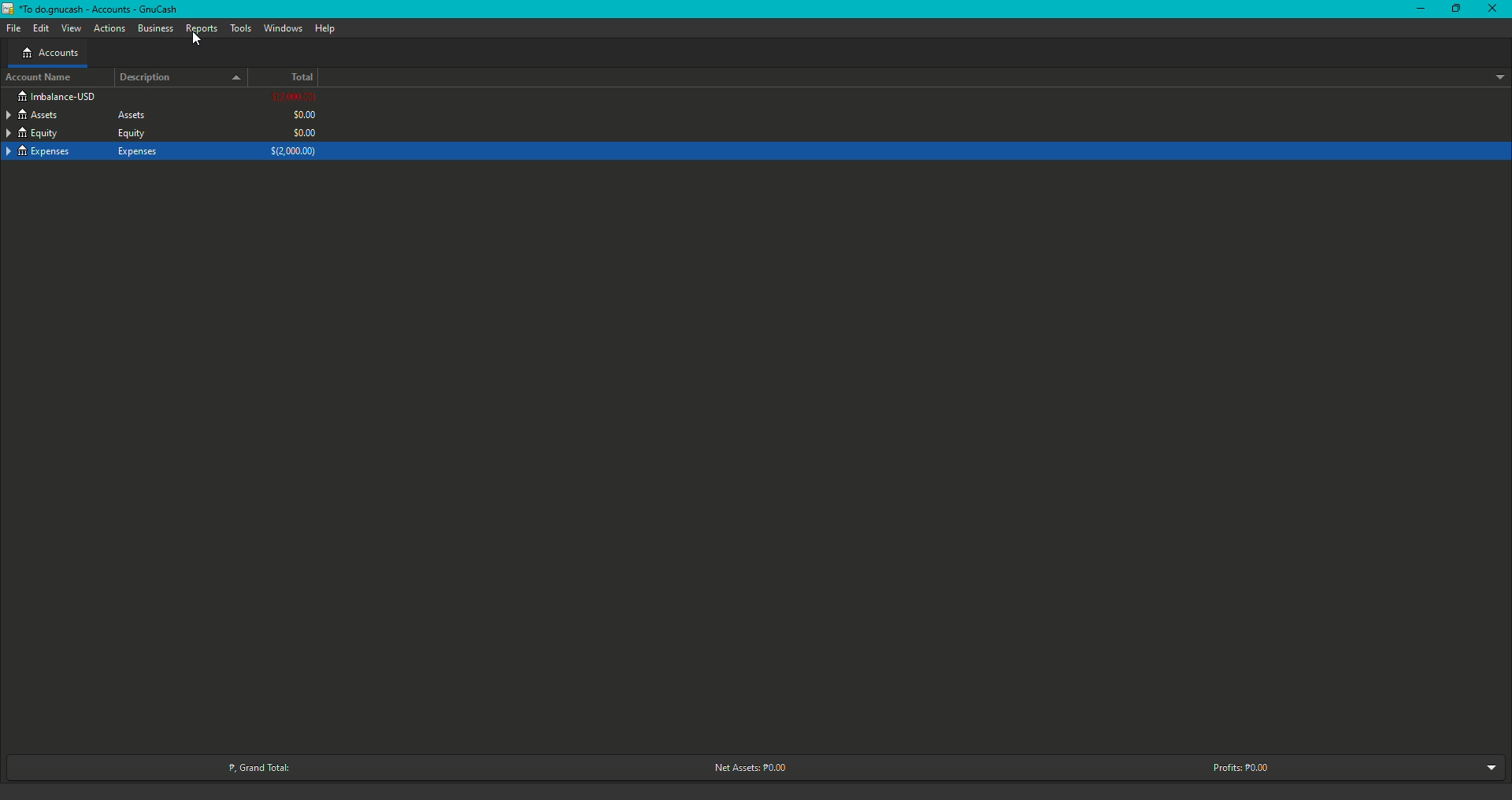 This screenshot has height=800, width=1512. Describe the element at coordinates (294, 152) in the screenshot. I see `$2000` at that location.